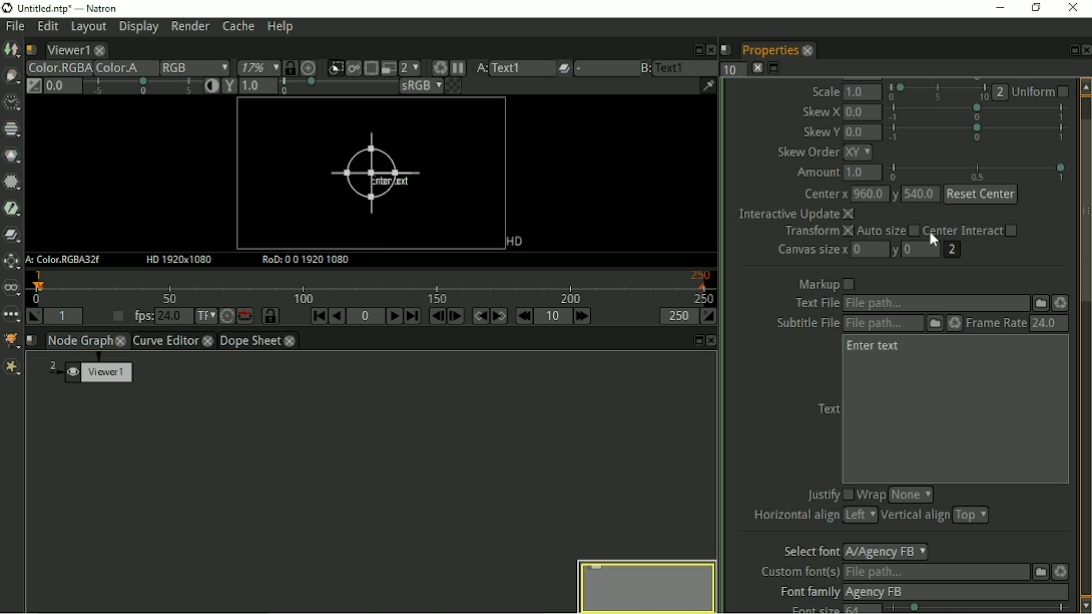 The width and height of the screenshot is (1092, 614). Describe the element at coordinates (1060, 570) in the screenshot. I see `Reload the file` at that location.